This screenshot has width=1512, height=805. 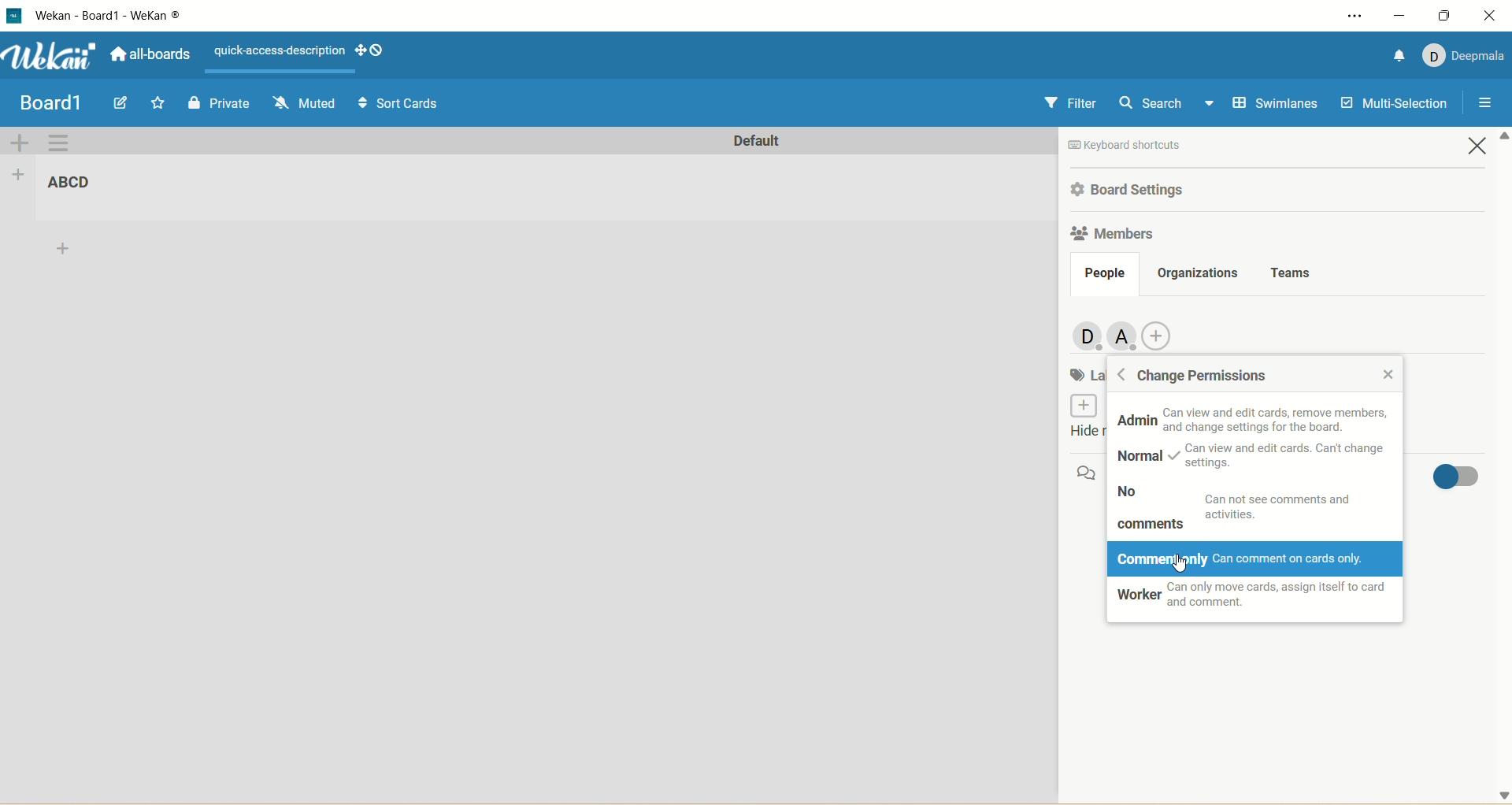 What do you see at coordinates (1112, 236) in the screenshot?
I see `members` at bounding box center [1112, 236].